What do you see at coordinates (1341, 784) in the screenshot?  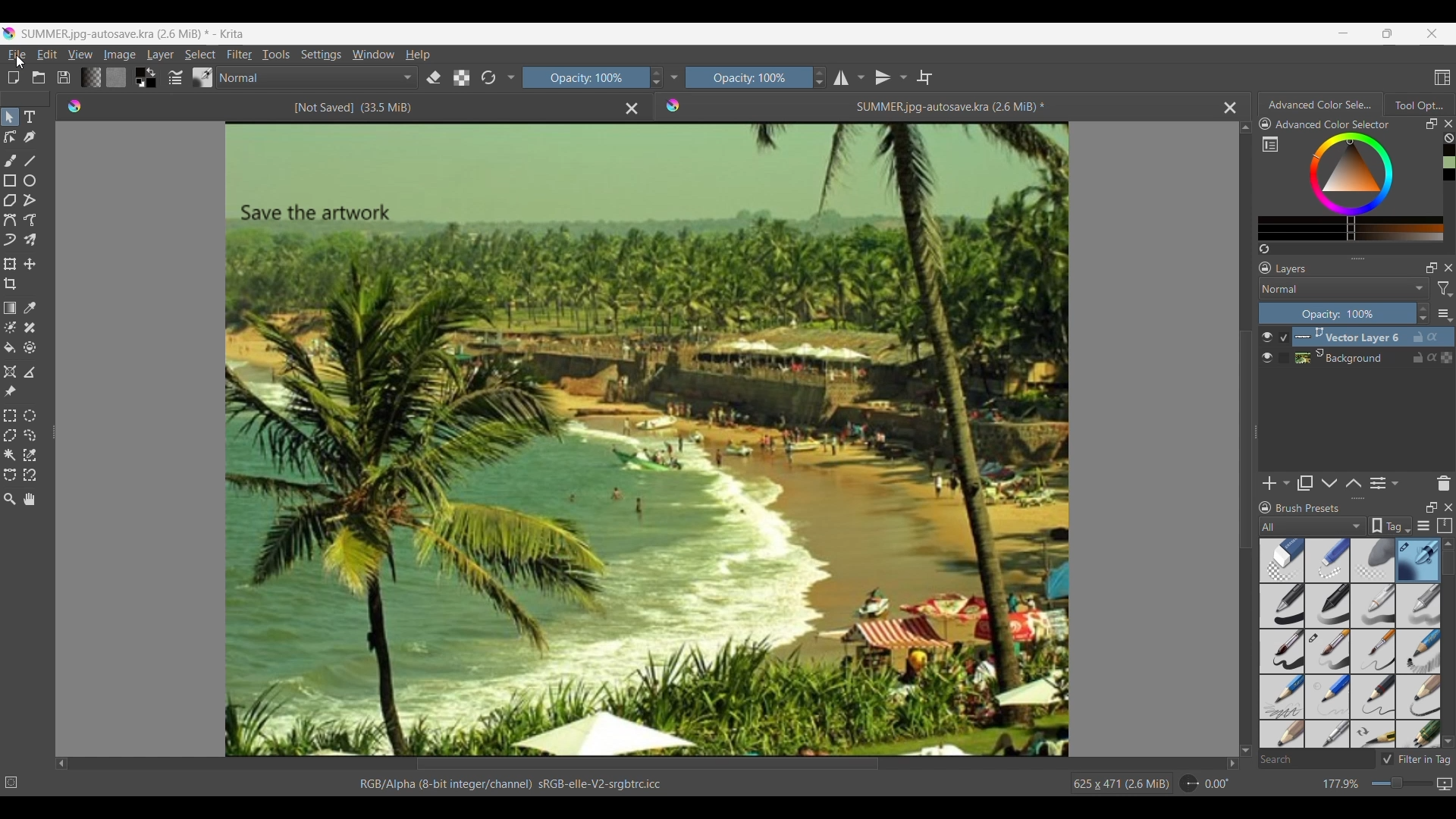 I see `Current zoom factor` at bounding box center [1341, 784].